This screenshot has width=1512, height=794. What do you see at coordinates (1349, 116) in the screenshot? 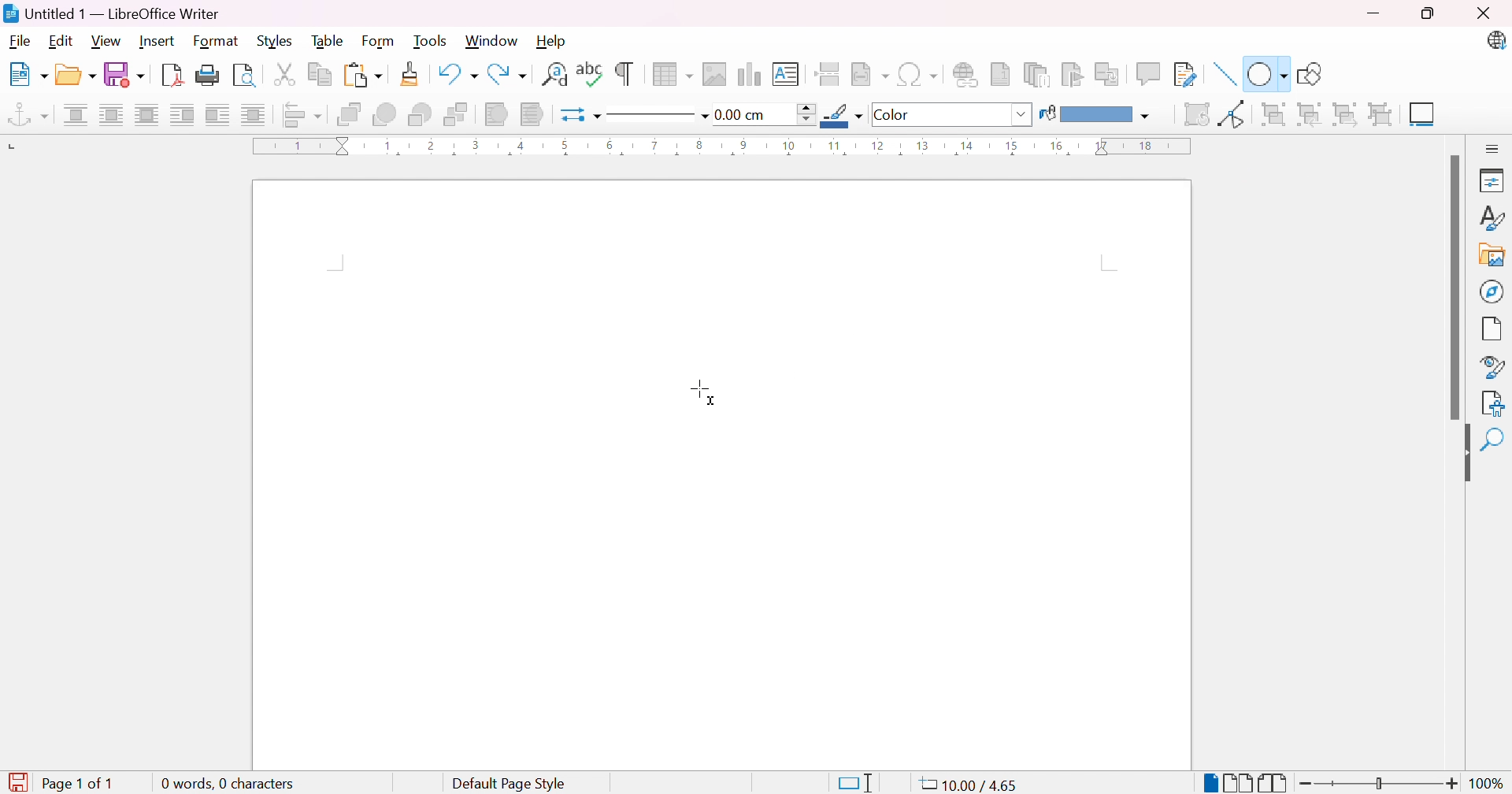
I see `Exit group` at bounding box center [1349, 116].